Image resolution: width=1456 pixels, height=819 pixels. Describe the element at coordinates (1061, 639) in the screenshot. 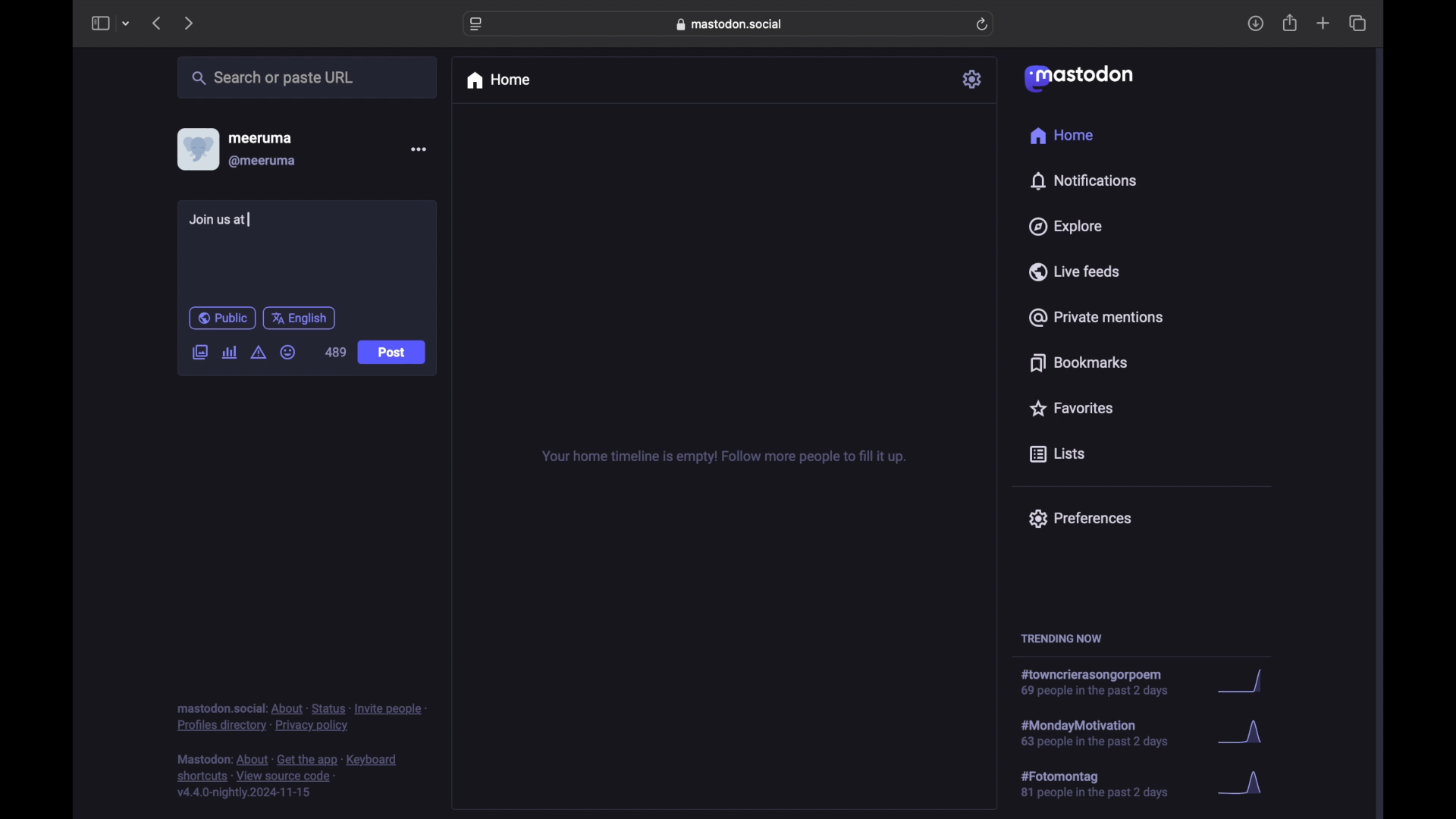

I see `trending now` at that location.